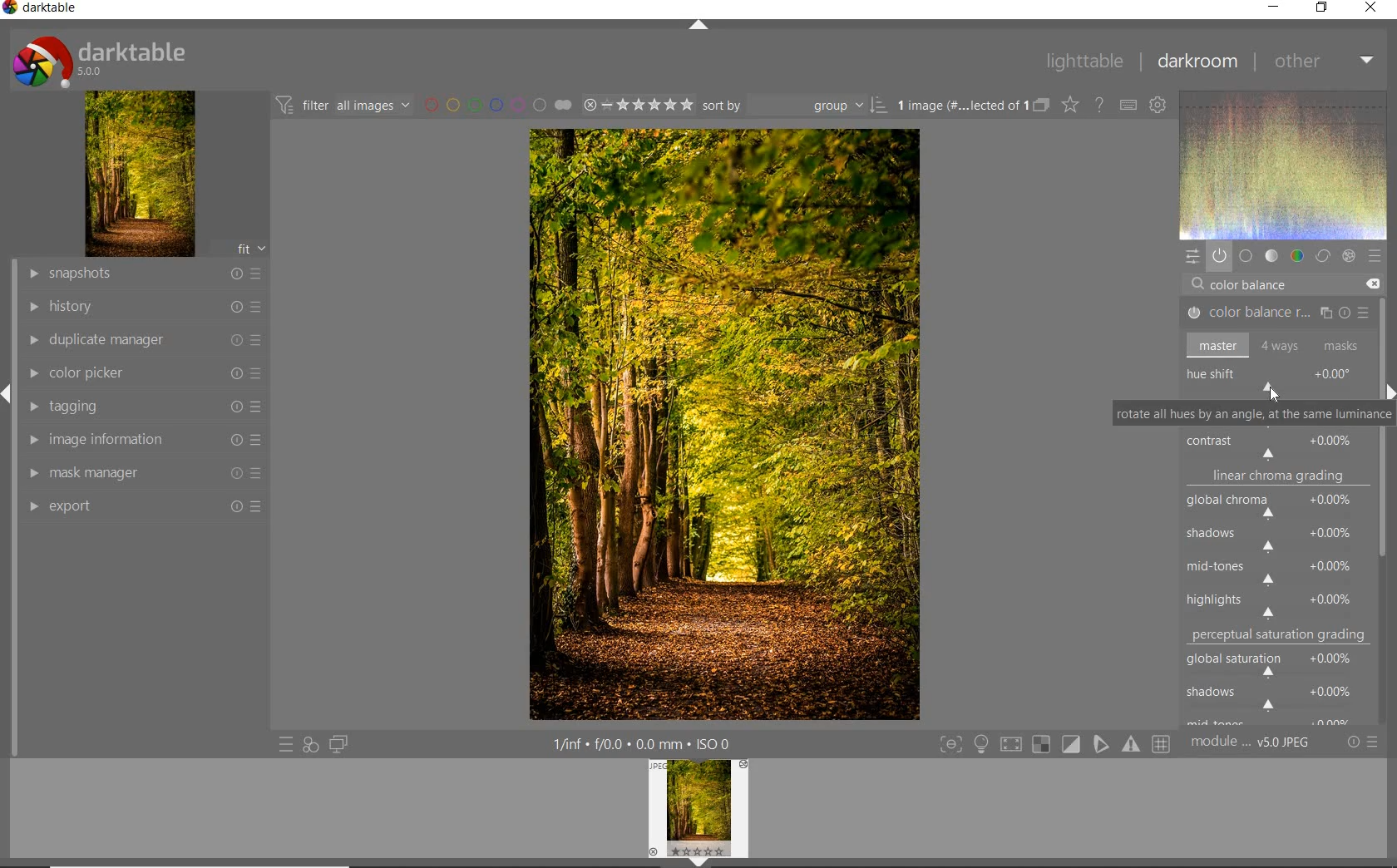 This screenshot has height=868, width=1397. Describe the element at coordinates (644, 744) in the screenshot. I see `other interface detail` at that location.